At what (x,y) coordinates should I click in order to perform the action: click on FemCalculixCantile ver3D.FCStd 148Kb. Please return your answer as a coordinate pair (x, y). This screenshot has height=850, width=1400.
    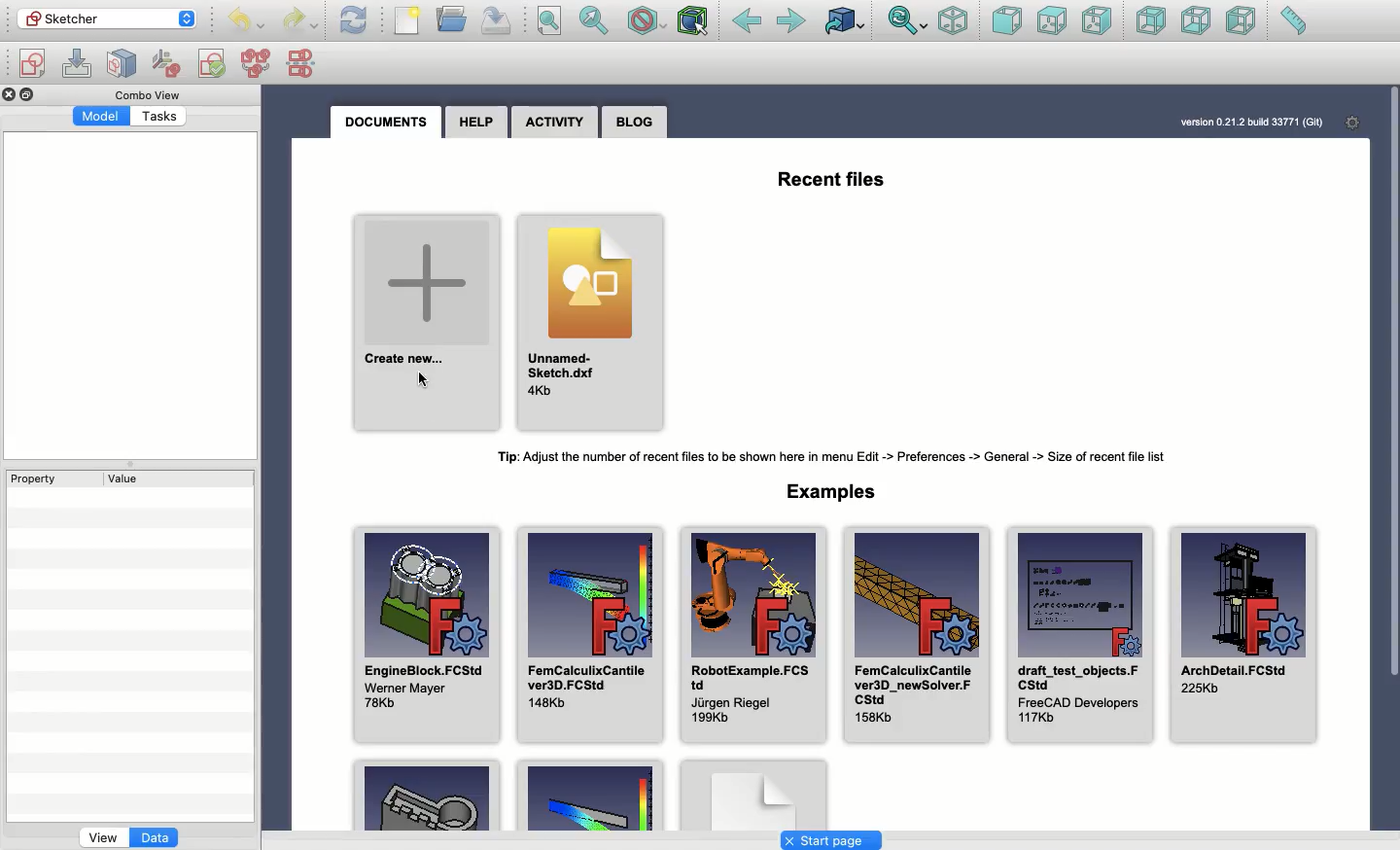
    Looking at the image, I should click on (591, 635).